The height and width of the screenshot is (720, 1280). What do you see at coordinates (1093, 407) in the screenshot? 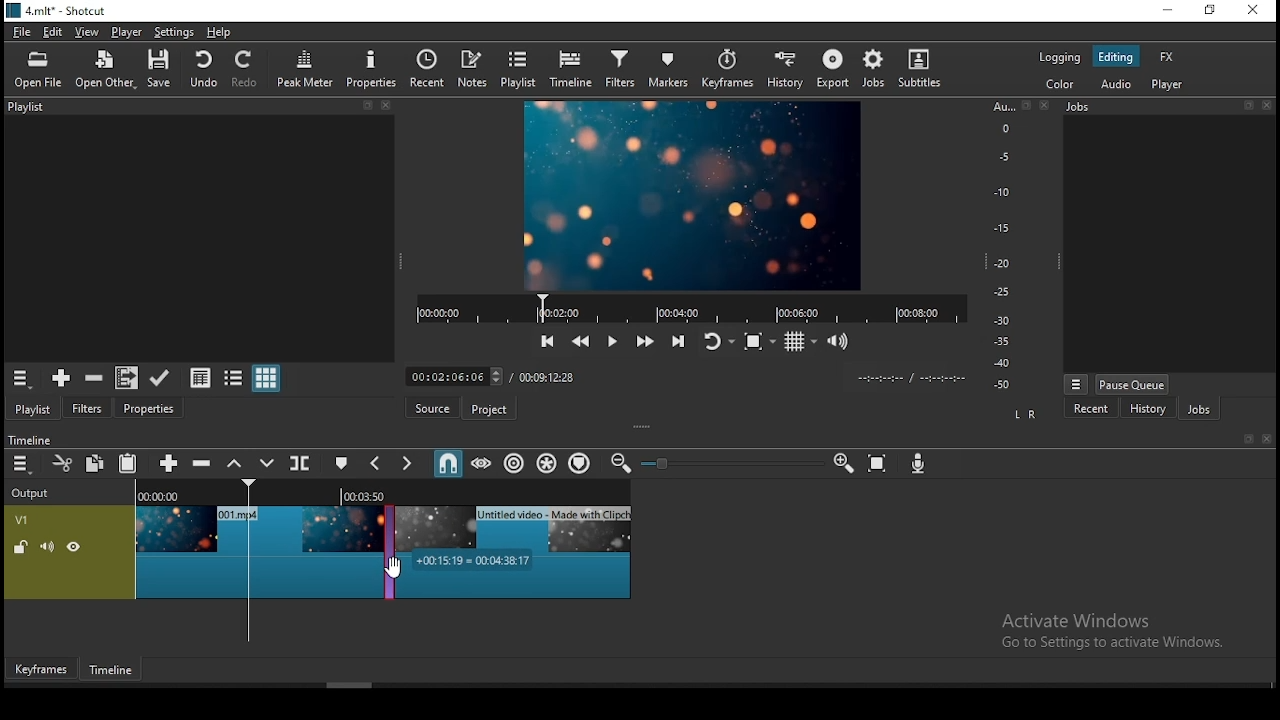
I see `recent` at bounding box center [1093, 407].